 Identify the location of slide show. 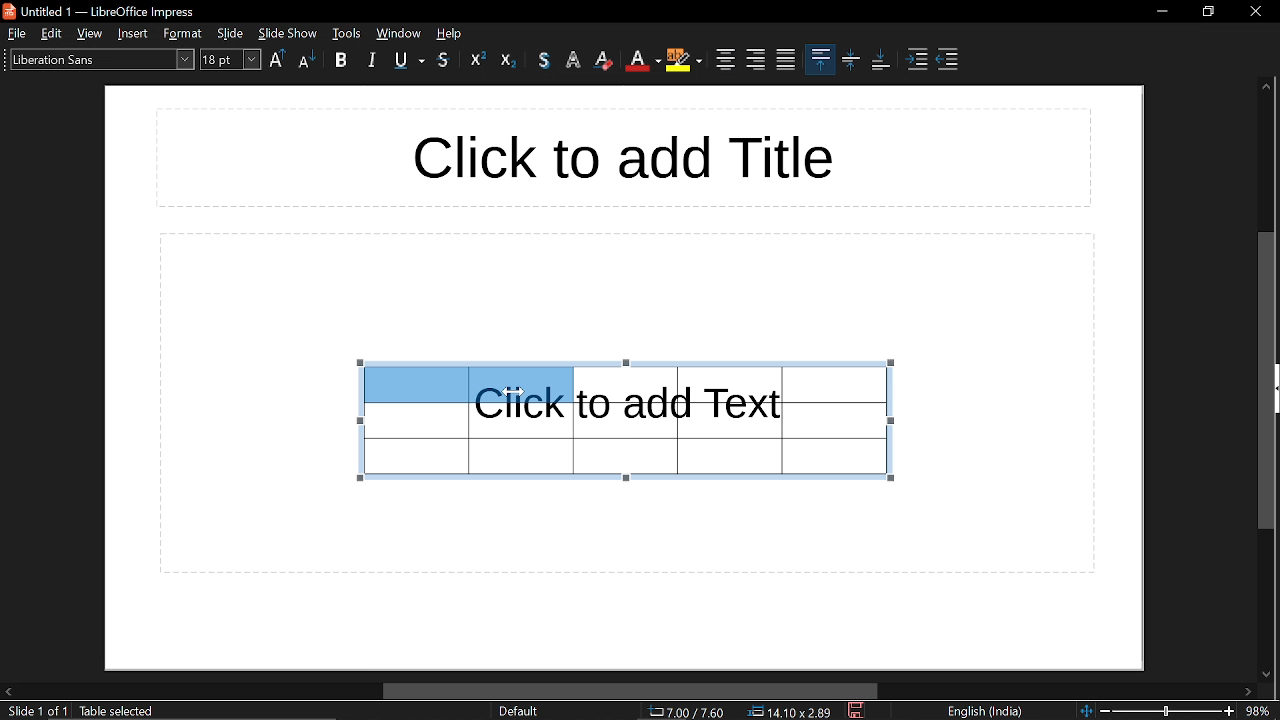
(288, 33).